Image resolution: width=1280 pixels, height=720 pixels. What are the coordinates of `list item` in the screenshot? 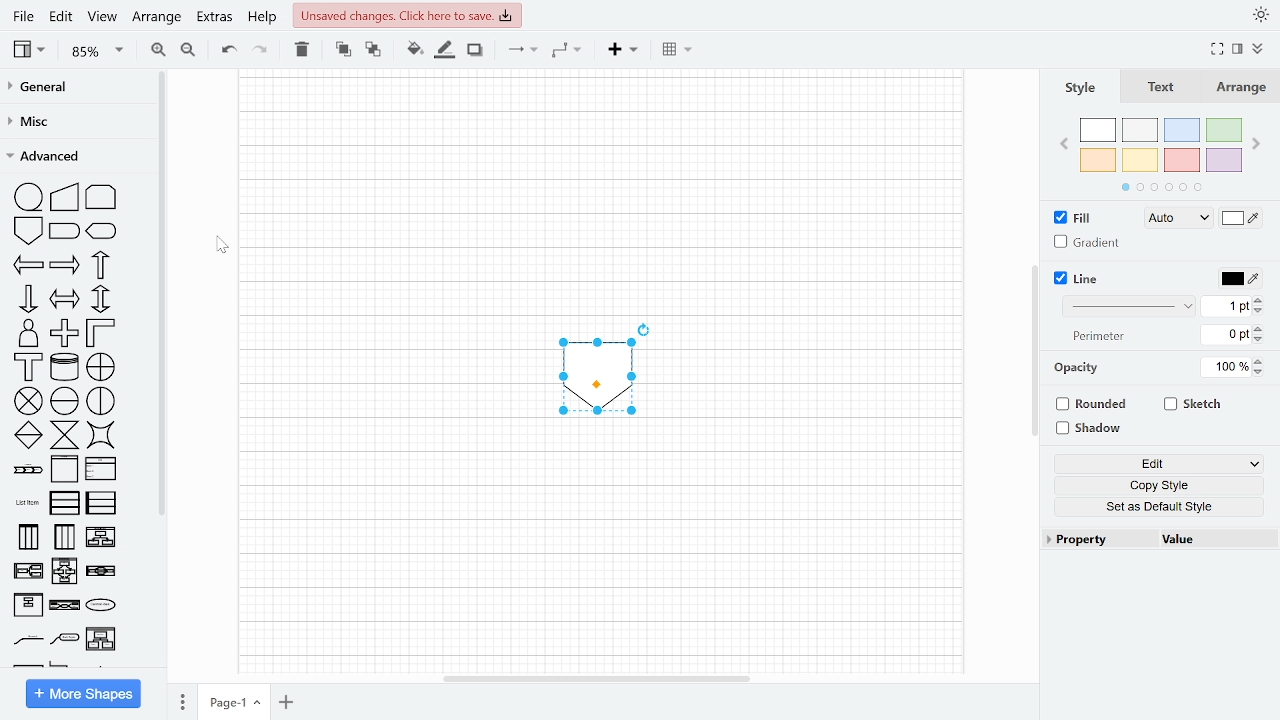 It's located at (25, 504).